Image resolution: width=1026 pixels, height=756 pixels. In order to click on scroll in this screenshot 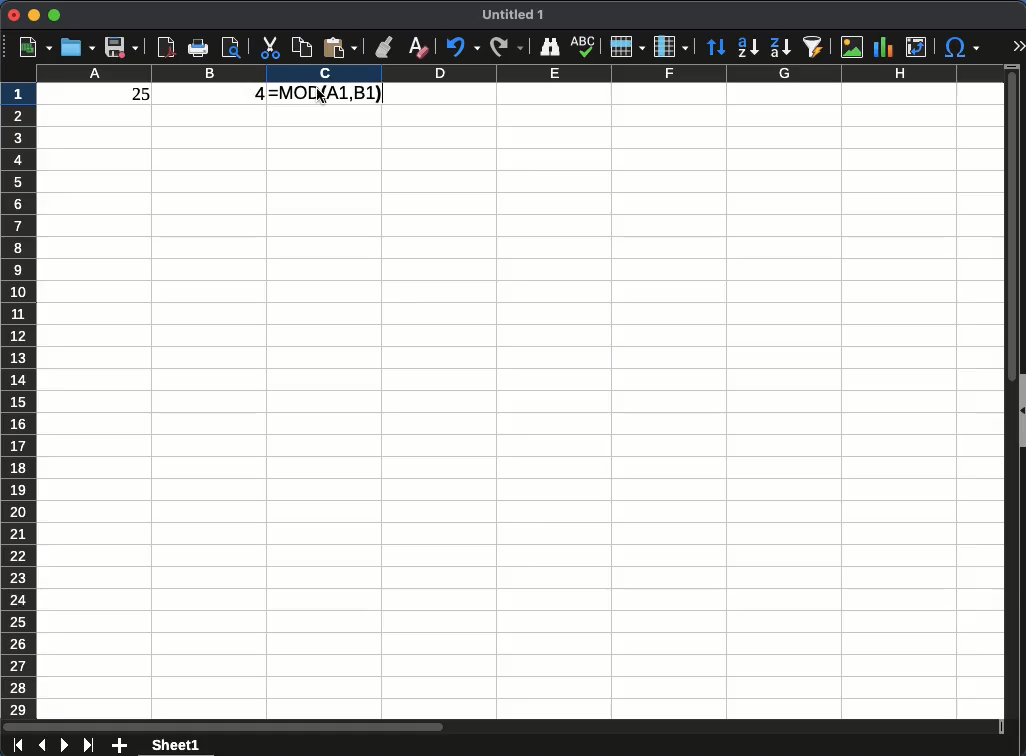, I will do `click(501, 725)`.